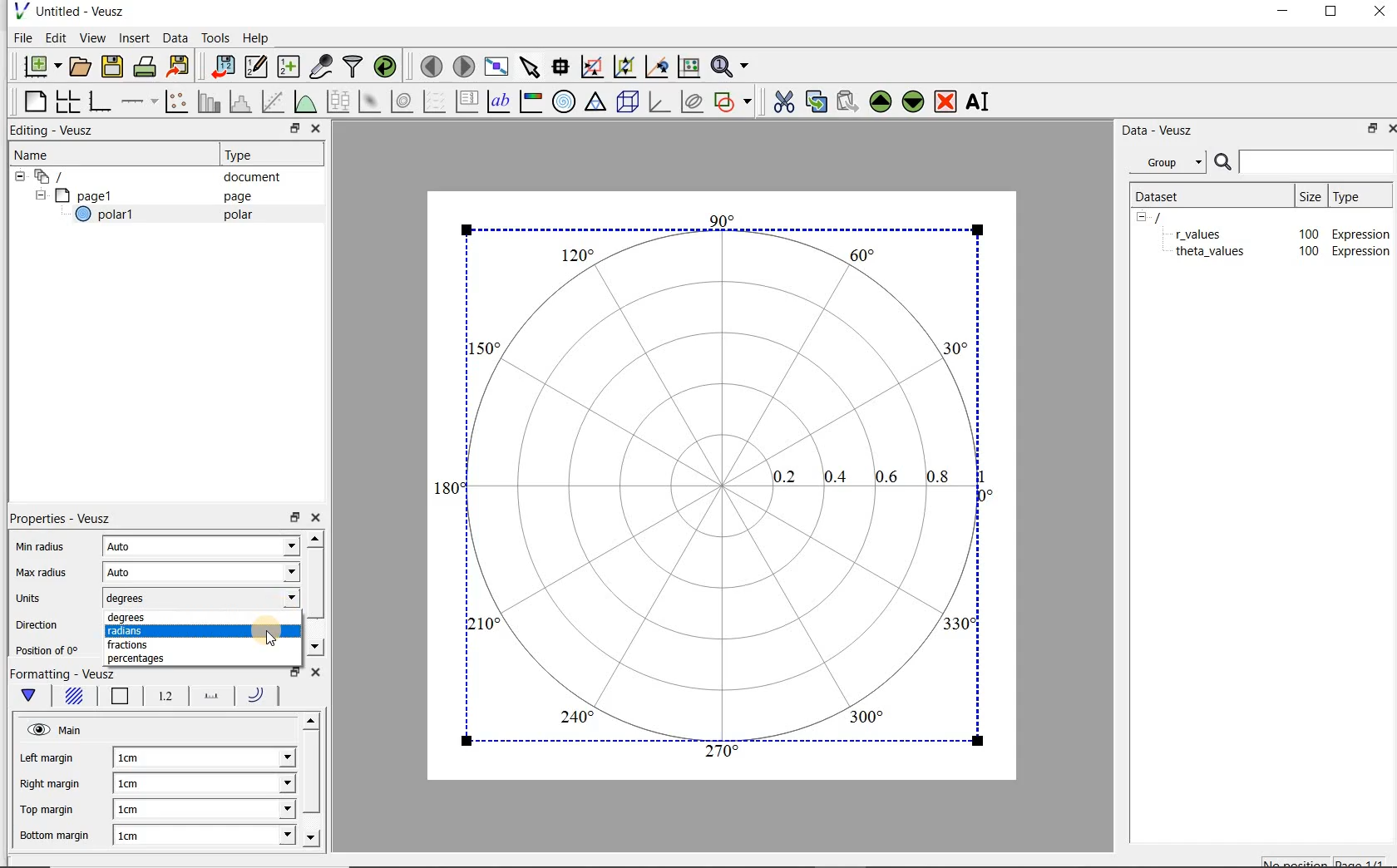  I want to click on Data, so click(176, 37).